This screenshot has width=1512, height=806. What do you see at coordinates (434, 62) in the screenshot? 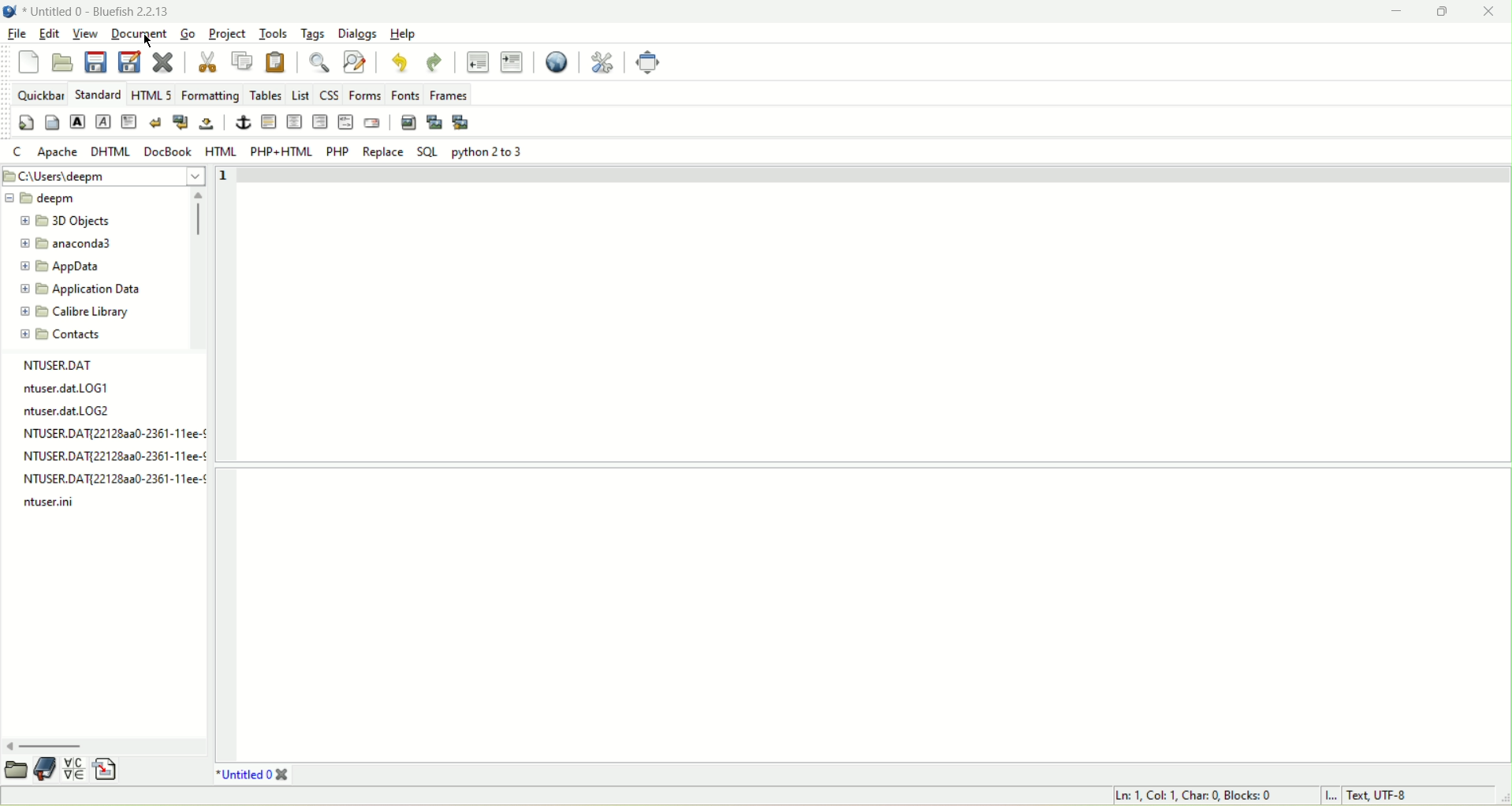
I see `redo` at bounding box center [434, 62].